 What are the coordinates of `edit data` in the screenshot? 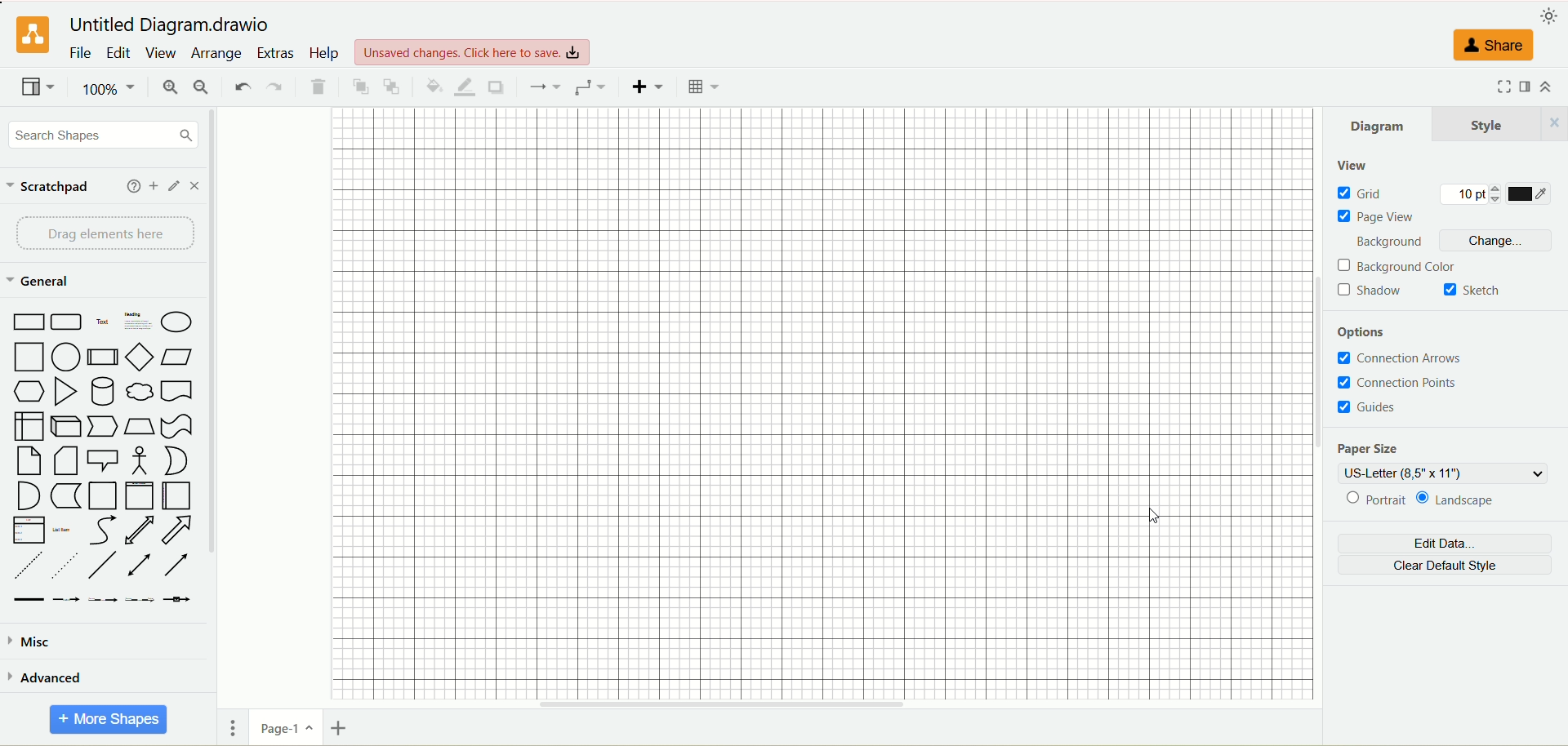 It's located at (1445, 544).